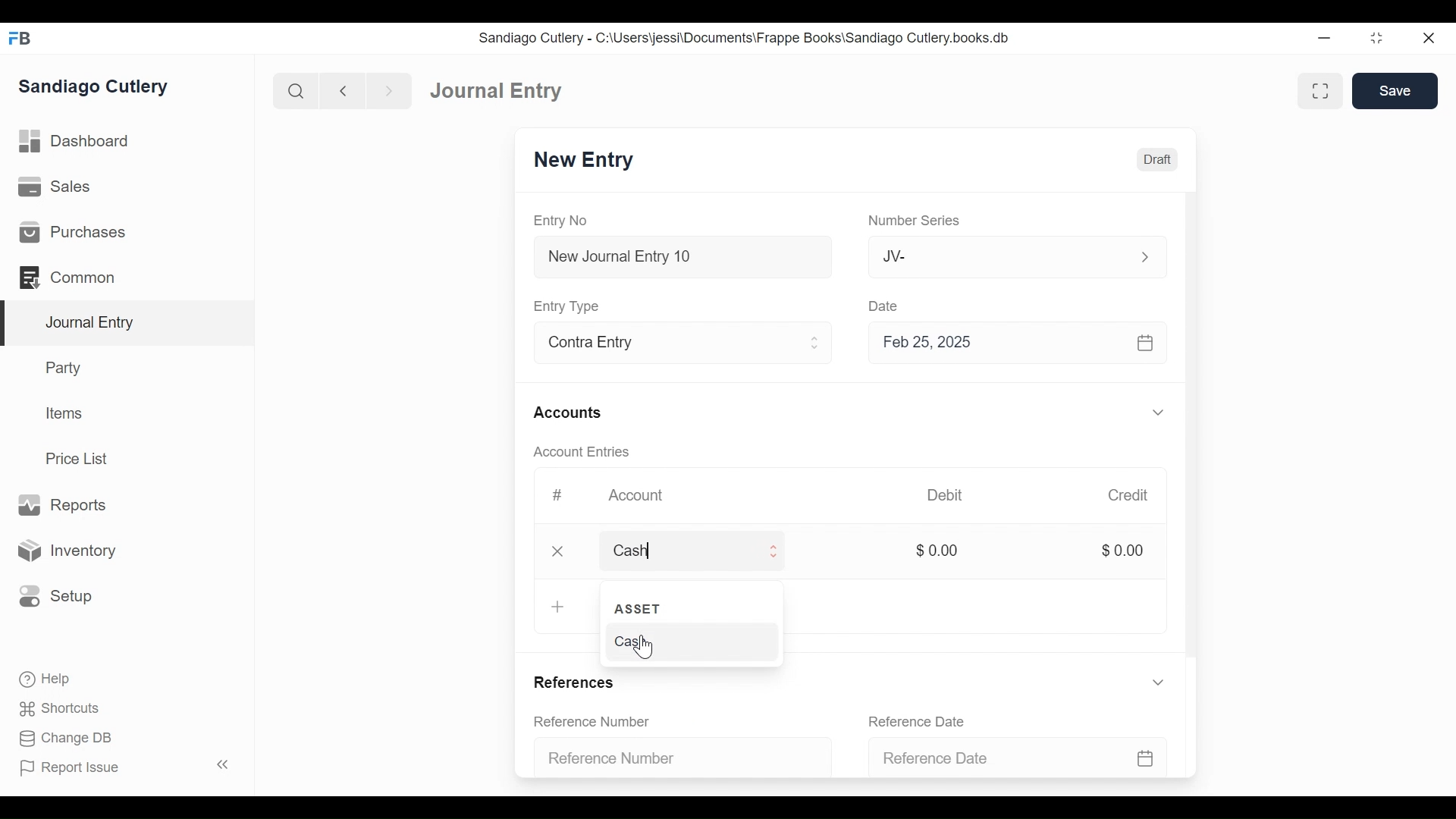 This screenshot has height=819, width=1456. Describe the element at coordinates (124, 767) in the screenshot. I see `Report Issue` at that location.